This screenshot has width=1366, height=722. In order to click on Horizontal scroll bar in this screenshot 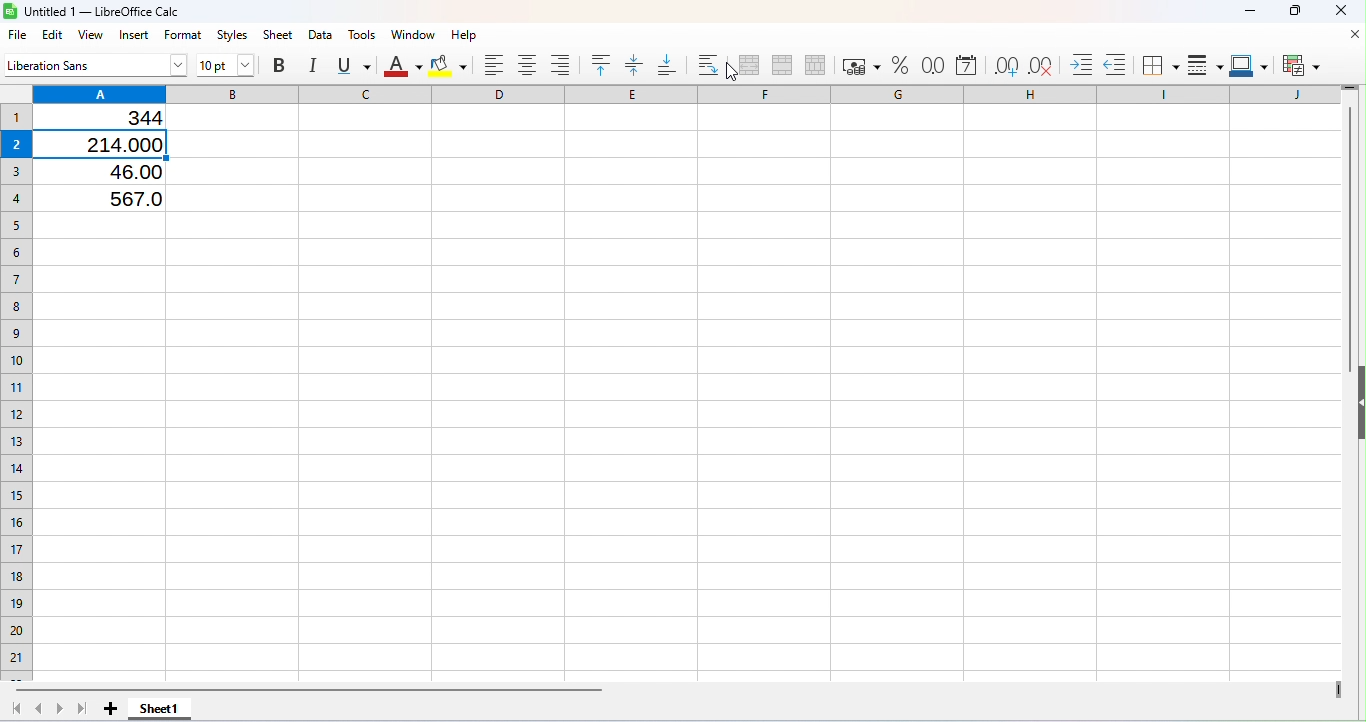, I will do `click(673, 689)`.